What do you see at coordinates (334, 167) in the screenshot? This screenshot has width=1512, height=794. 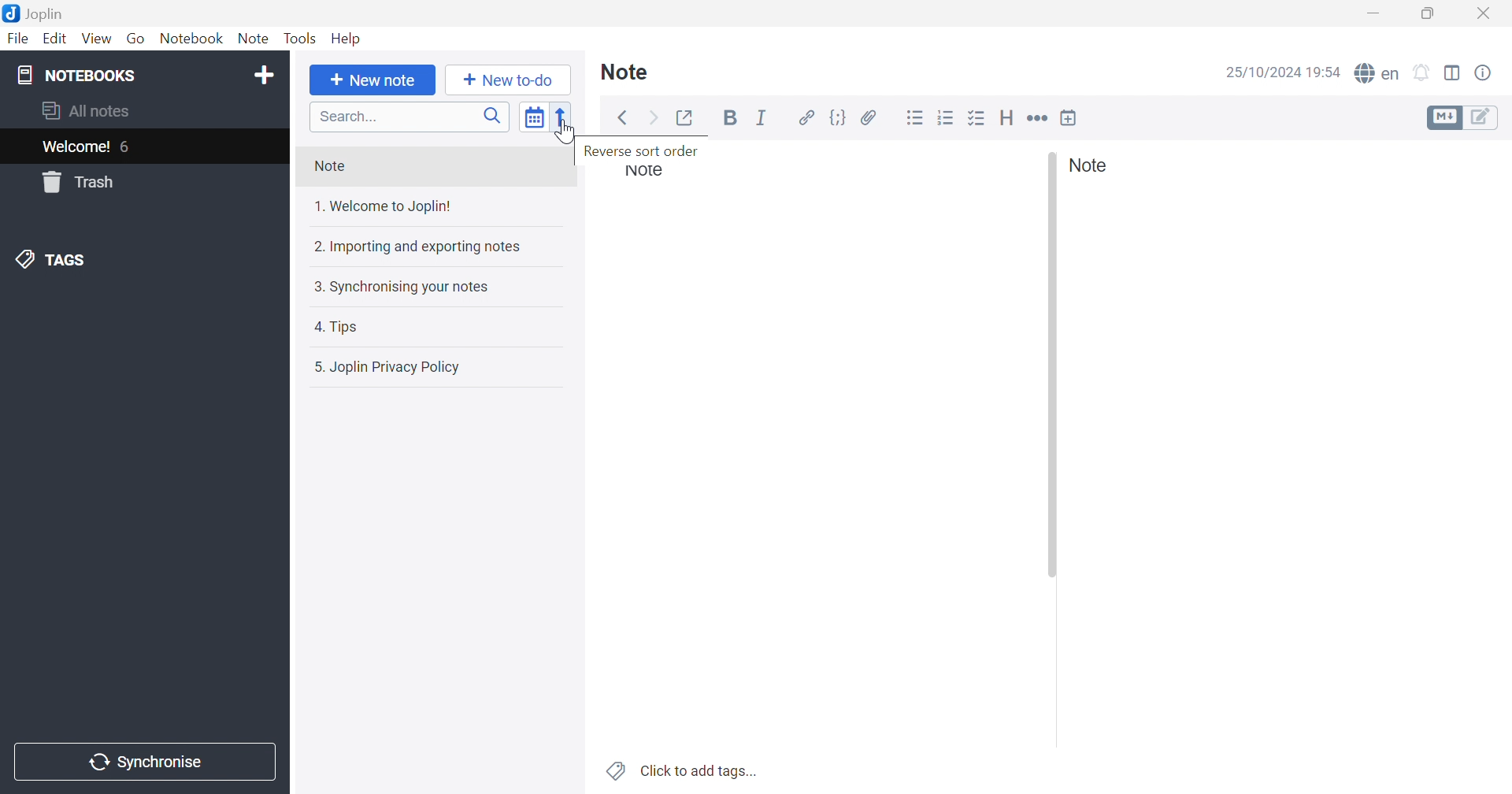 I see `Note` at bounding box center [334, 167].